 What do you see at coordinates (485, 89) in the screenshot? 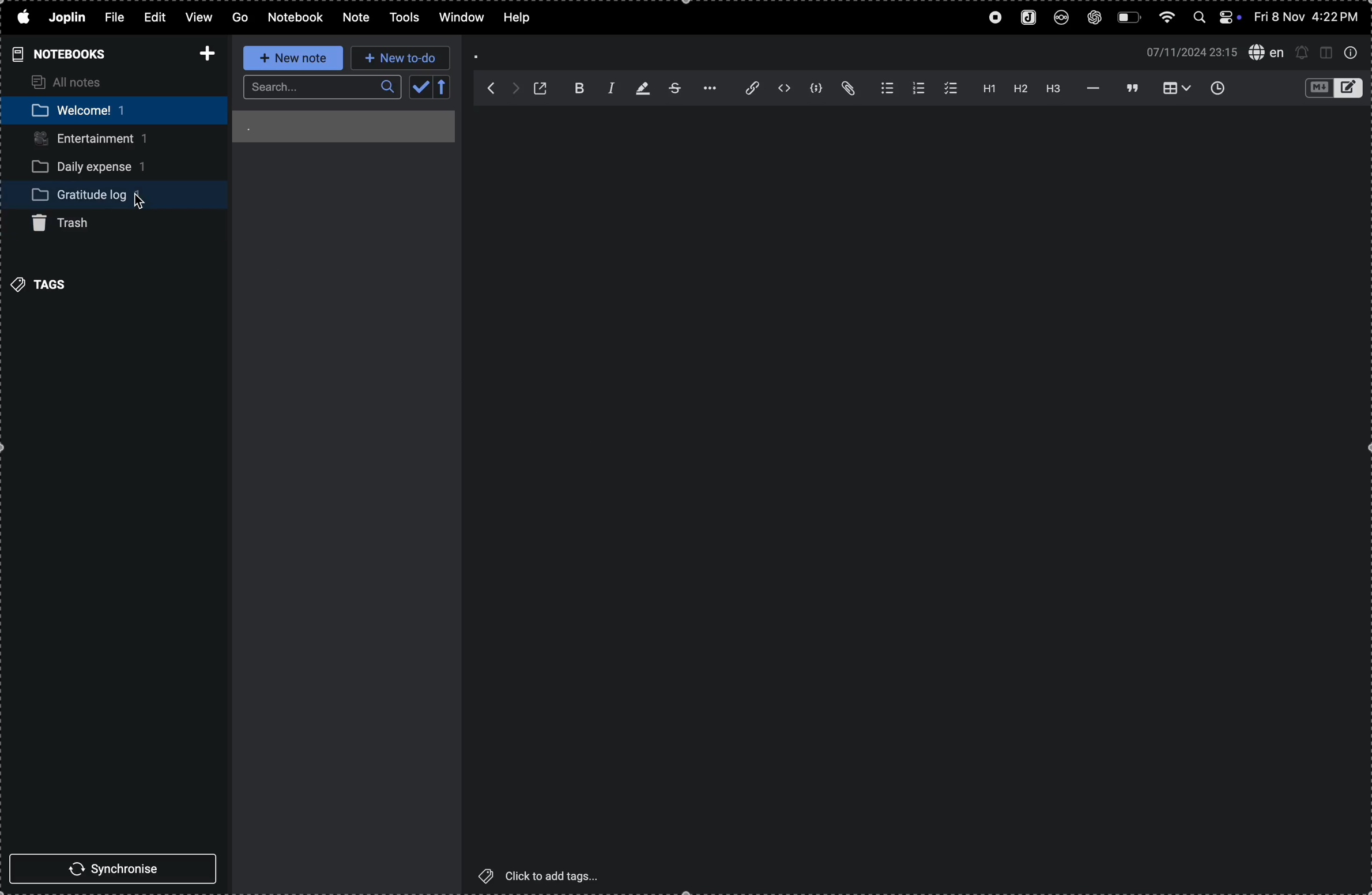
I see `backward` at bounding box center [485, 89].